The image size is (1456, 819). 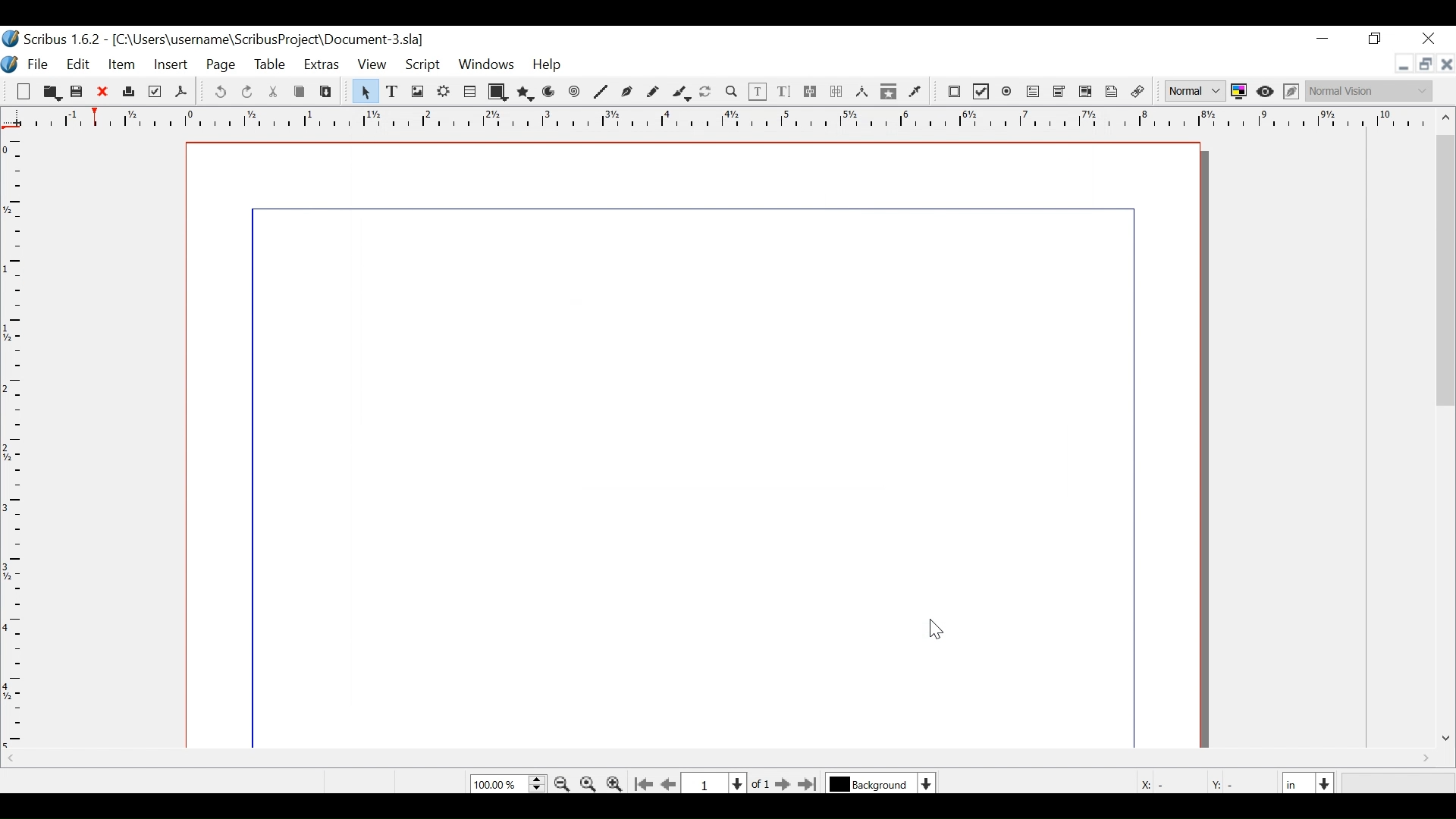 What do you see at coordinates (758, 92) in the screenshot?
I see `Edit contents of frame ` at bounding box center [758, 92].